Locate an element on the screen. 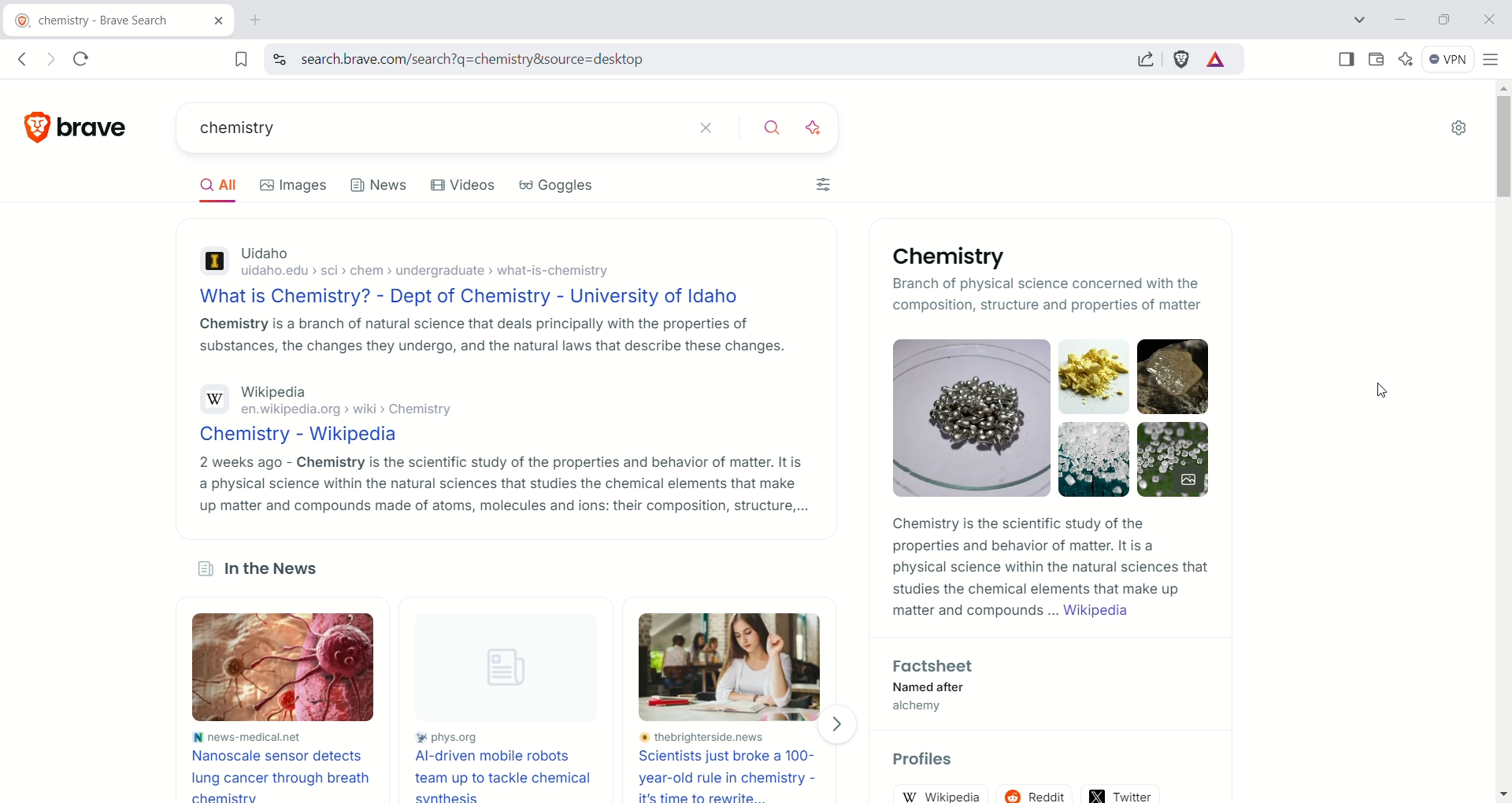 This screenshot has width=1512, height=803. reddit is located at coordinates (1039, 790).